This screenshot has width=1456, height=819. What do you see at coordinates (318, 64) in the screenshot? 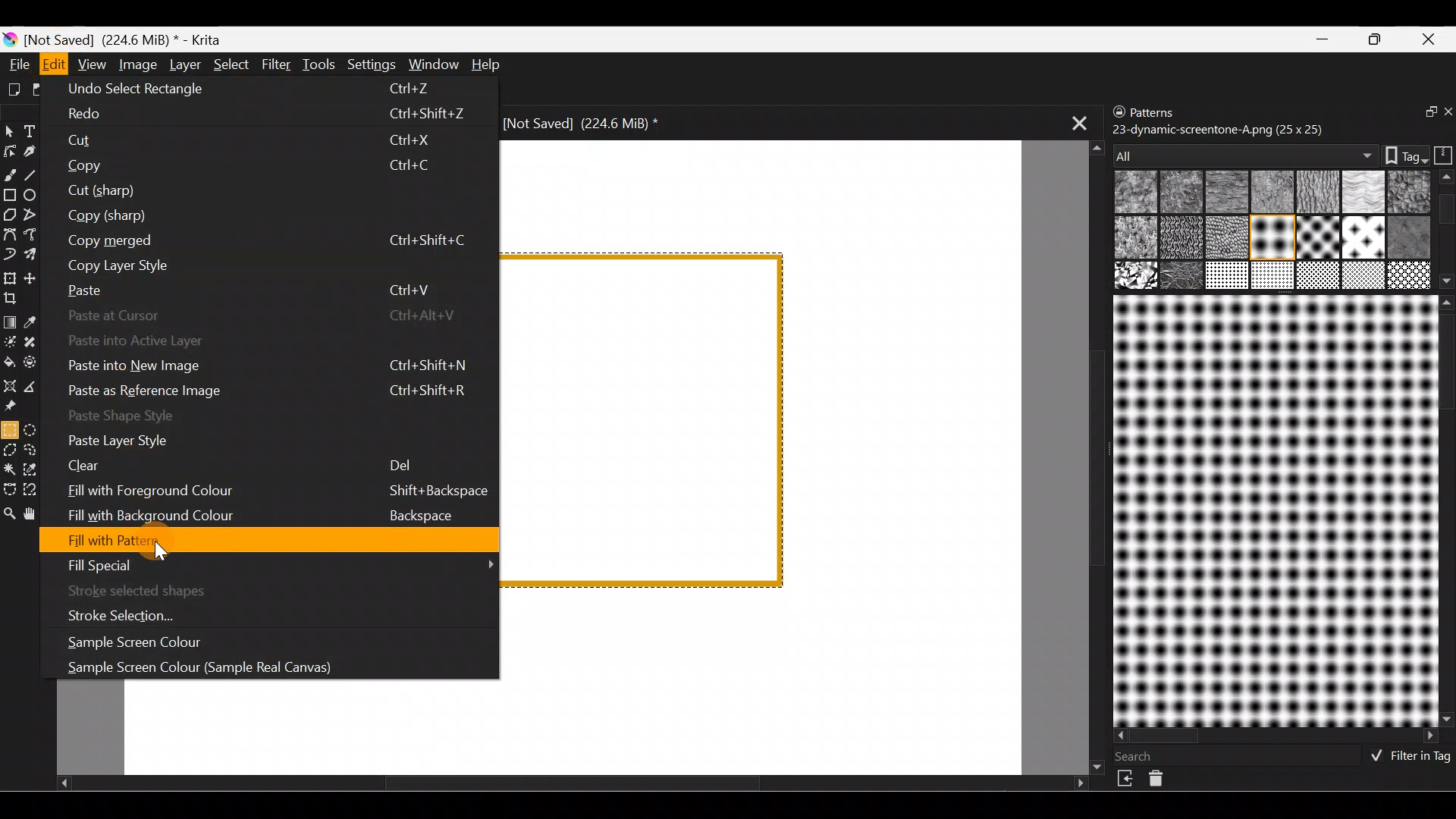
I see `Tools` at bounding box center [318, 64].